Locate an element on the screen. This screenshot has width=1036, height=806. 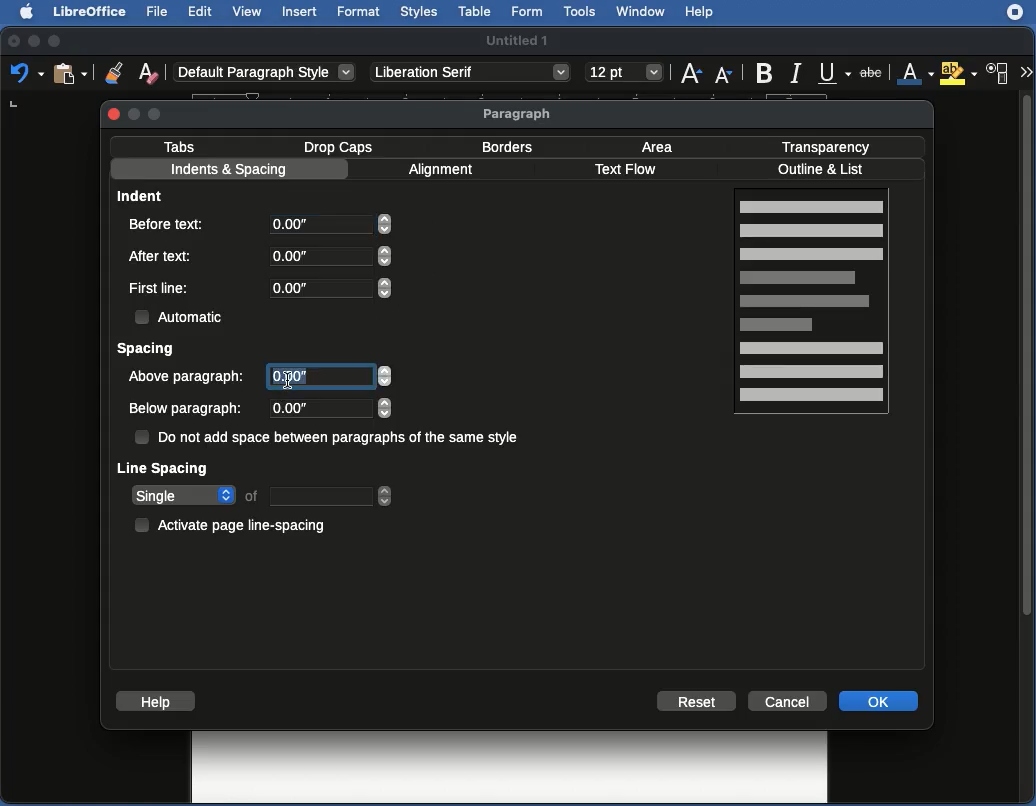
After text is located at coordinates (164, 255).